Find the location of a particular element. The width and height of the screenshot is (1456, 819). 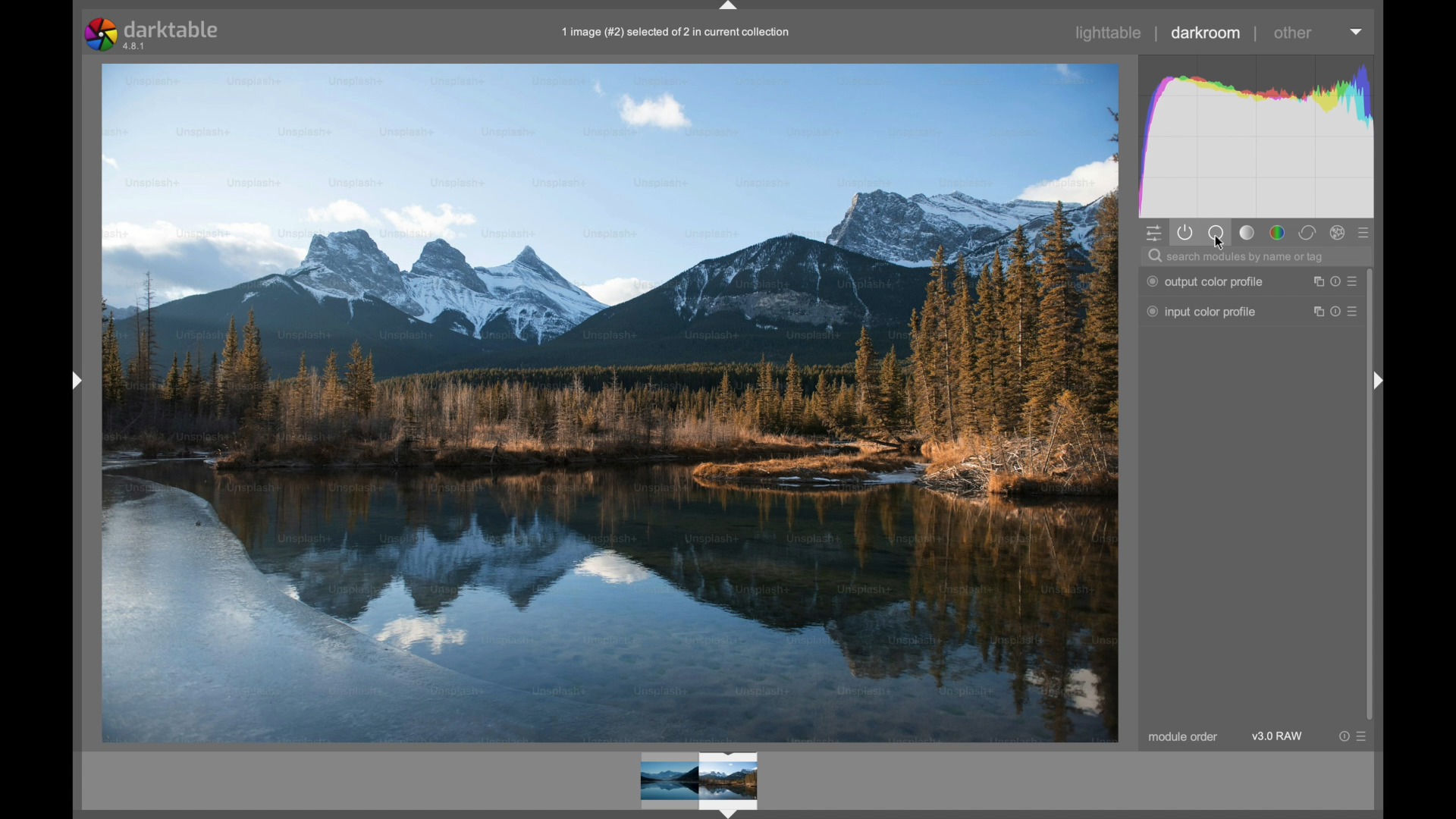

input color profile is located at coordinates (1201, 312).